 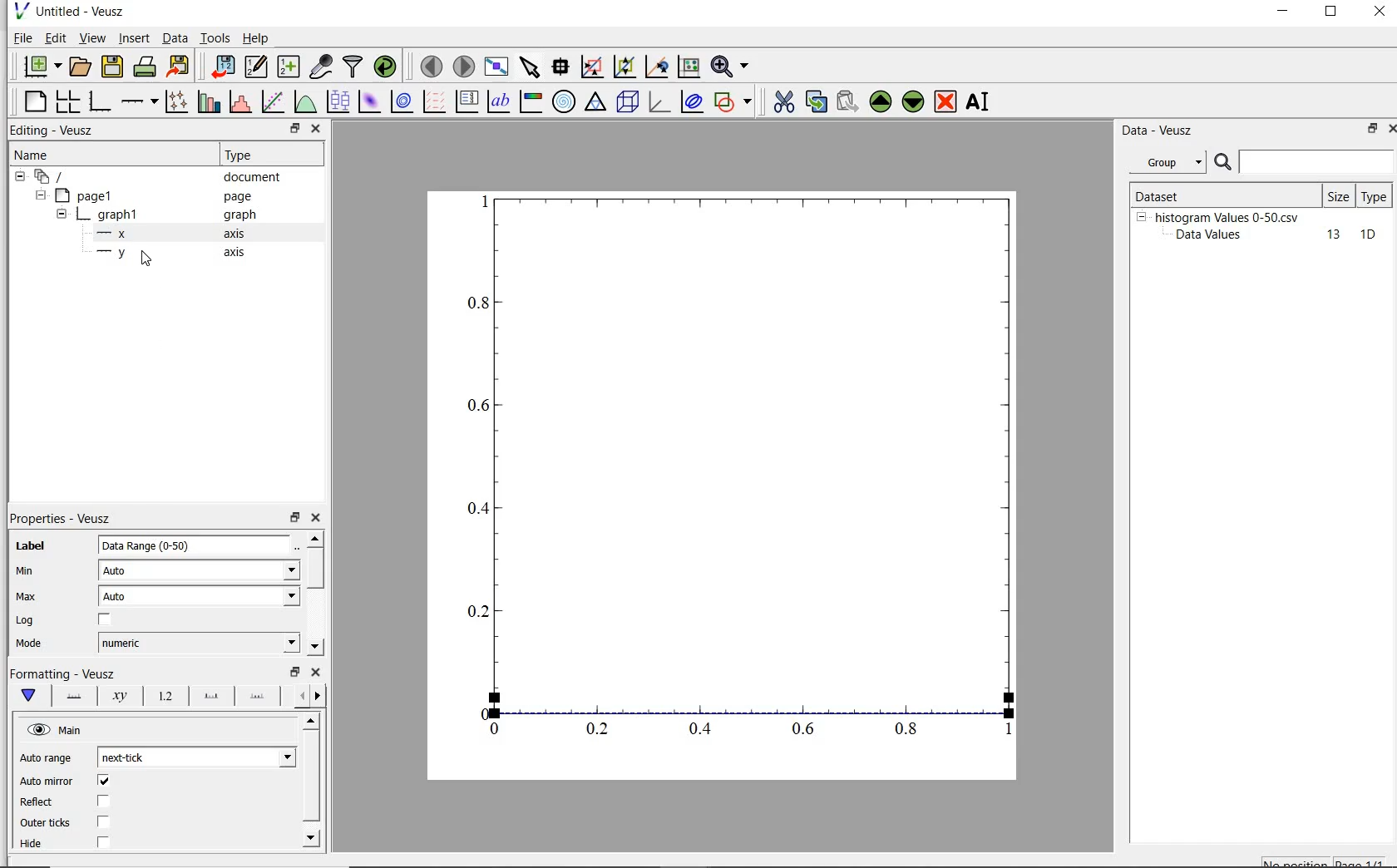 I want to click on tick label, so click(x=164, y=697).